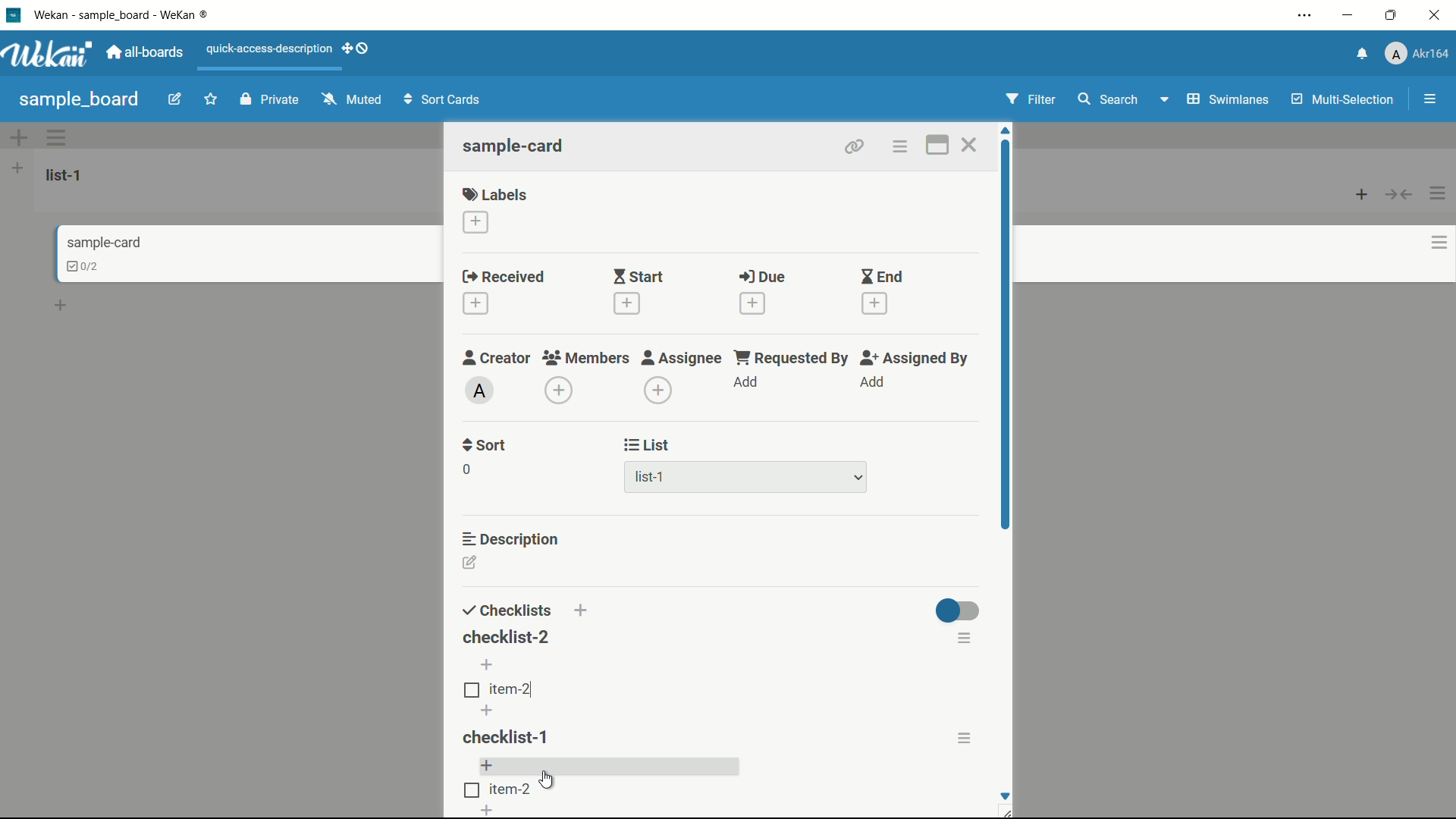 The width and height of the screenshot is (1456, 819). What do you see at coordinates (871, 382) in the screenshot?
I see `add` at bounding box center [871, 382].